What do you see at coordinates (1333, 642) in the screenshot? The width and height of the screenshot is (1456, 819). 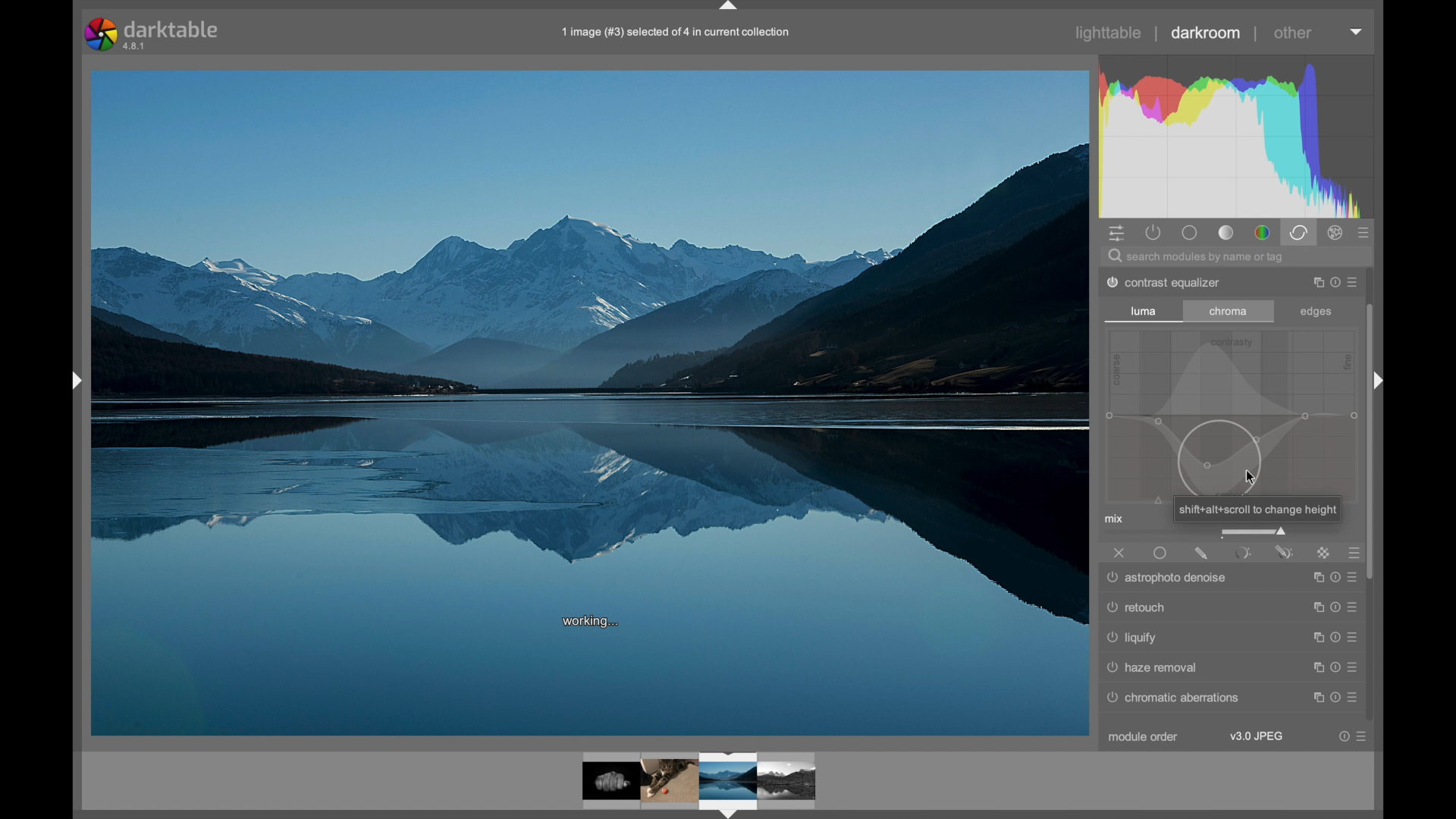 I see `more options` at bounding box center [1333, 642].